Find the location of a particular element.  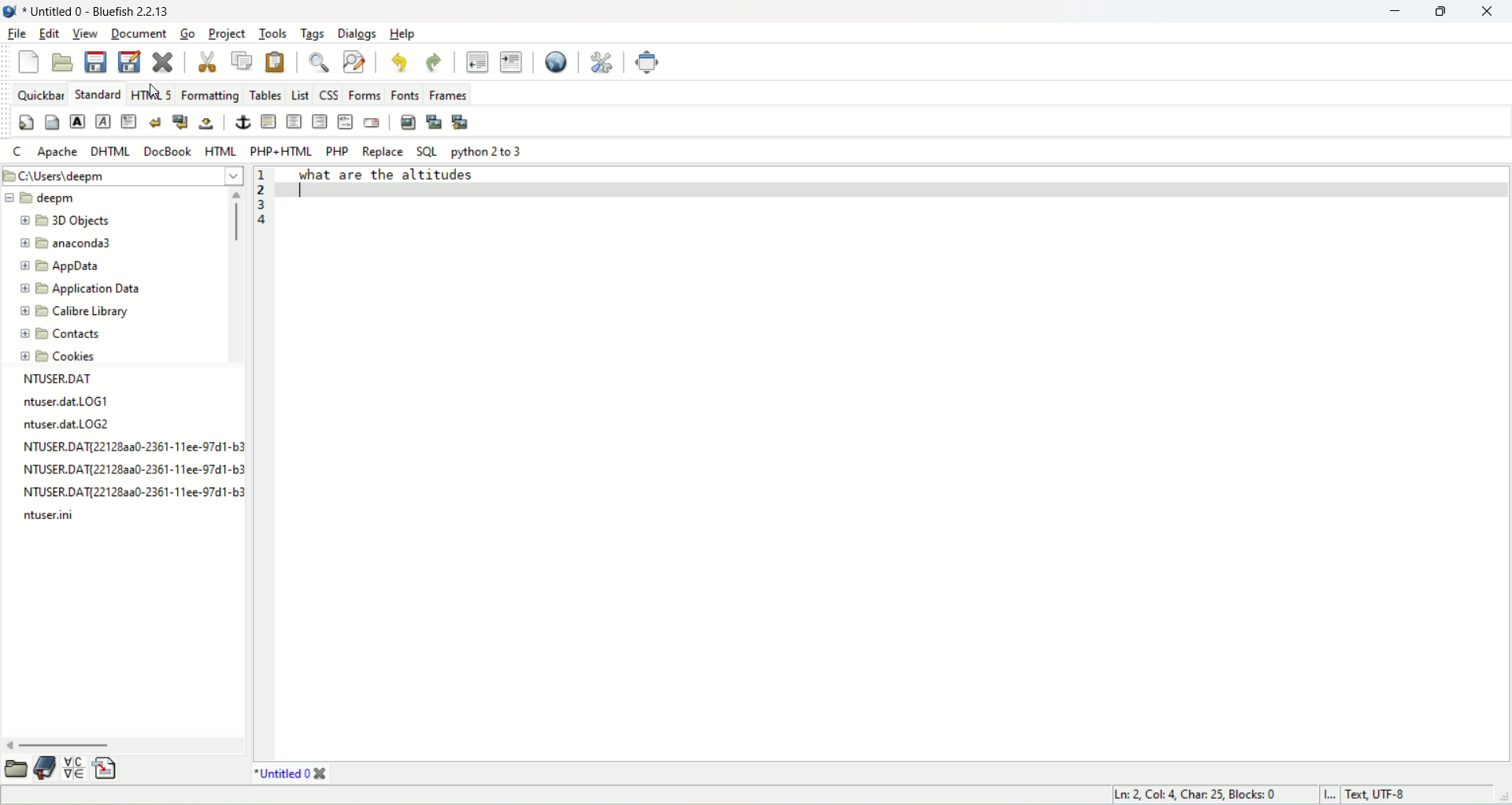

edit preferences is located at coordinates (598, 59).